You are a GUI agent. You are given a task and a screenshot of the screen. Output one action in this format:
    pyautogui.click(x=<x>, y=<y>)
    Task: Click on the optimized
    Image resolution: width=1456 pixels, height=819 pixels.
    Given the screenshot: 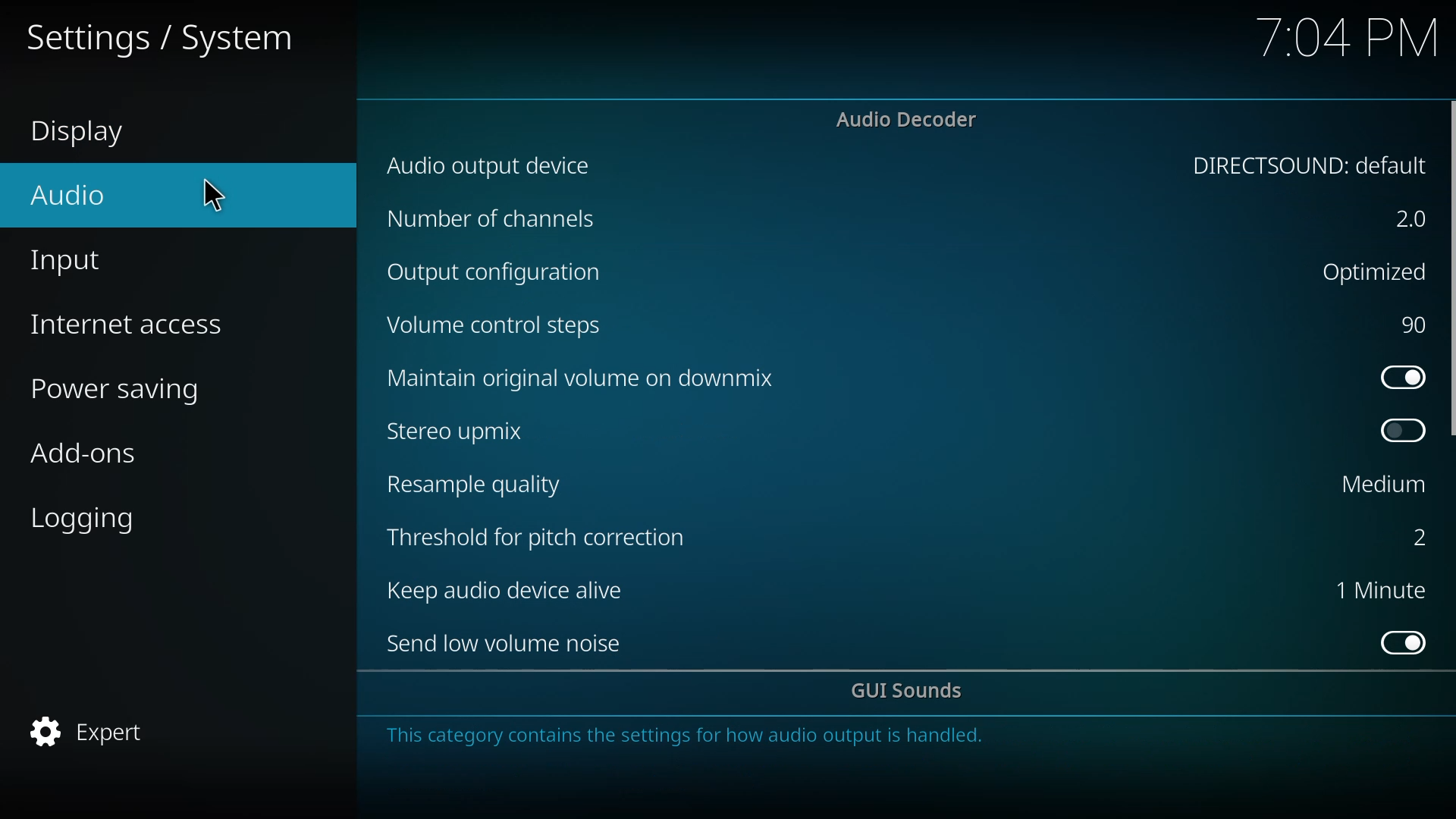 What is the action you would take?
    pyautogui.click(x=1370, y=270)
    